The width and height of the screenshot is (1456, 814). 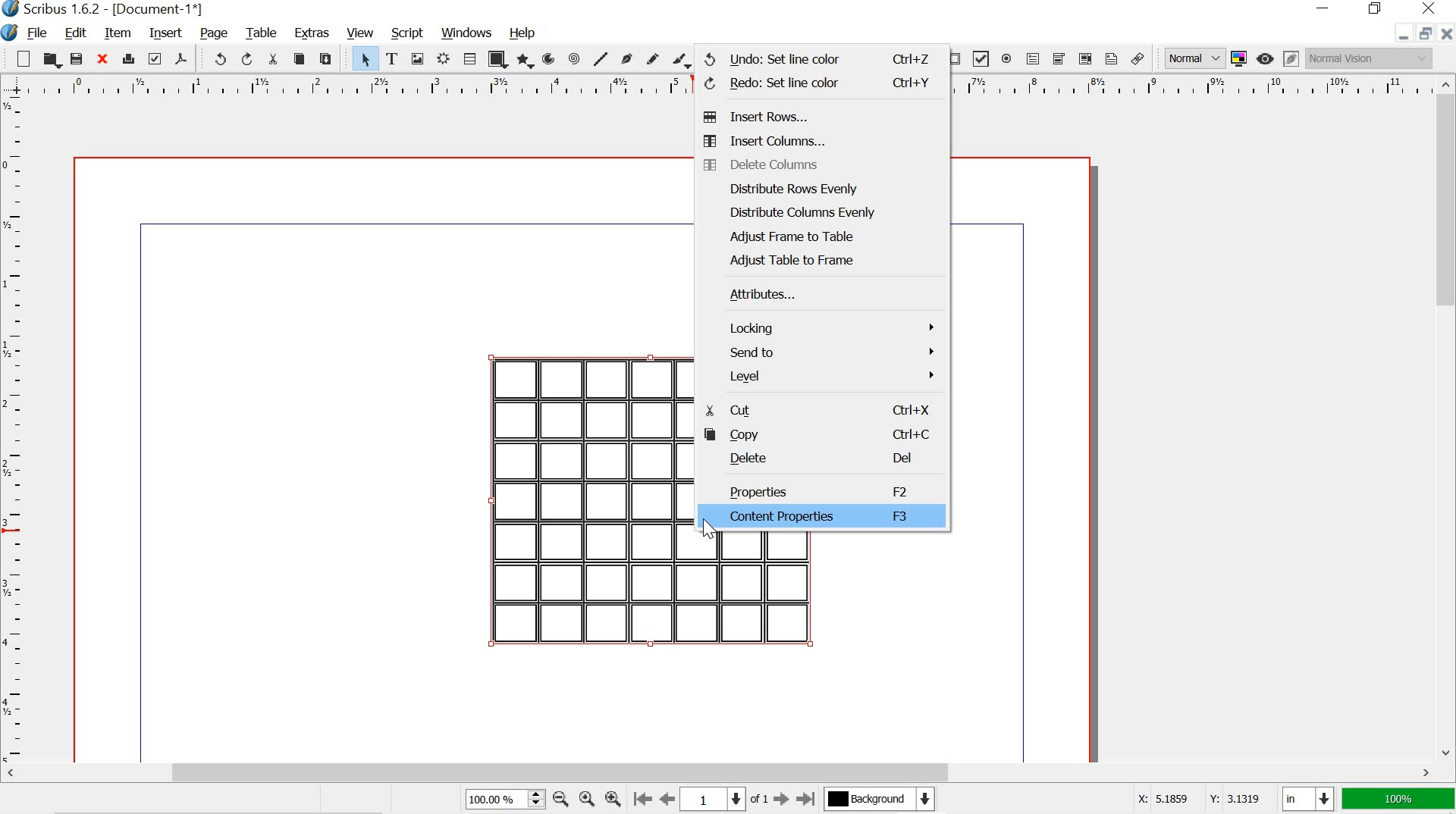 What do you see at coordinates (602, 56) in the screenshot?
I see `line` at bounding box center [602, 56].